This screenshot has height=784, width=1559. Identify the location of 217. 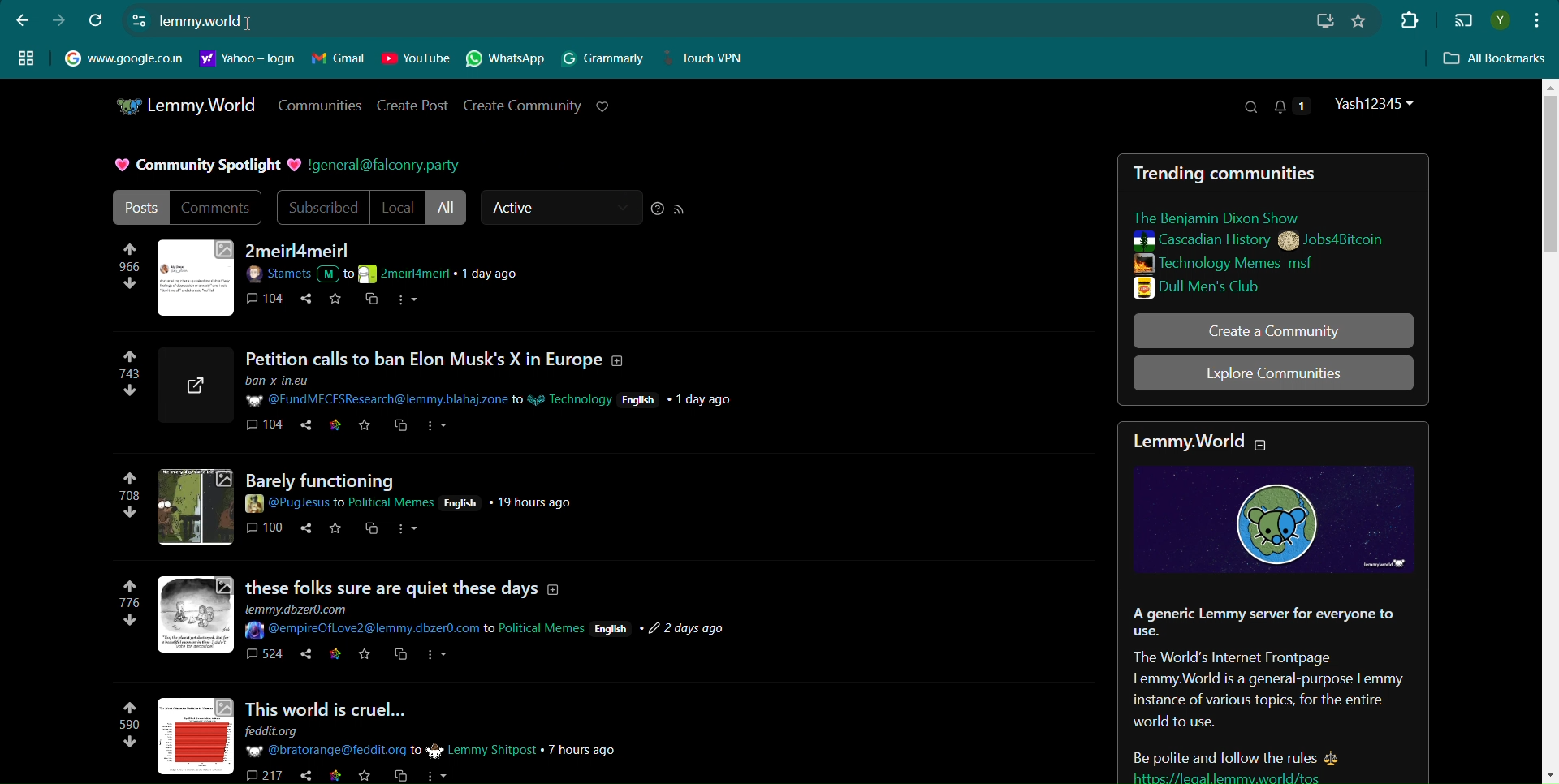
(261, 774).